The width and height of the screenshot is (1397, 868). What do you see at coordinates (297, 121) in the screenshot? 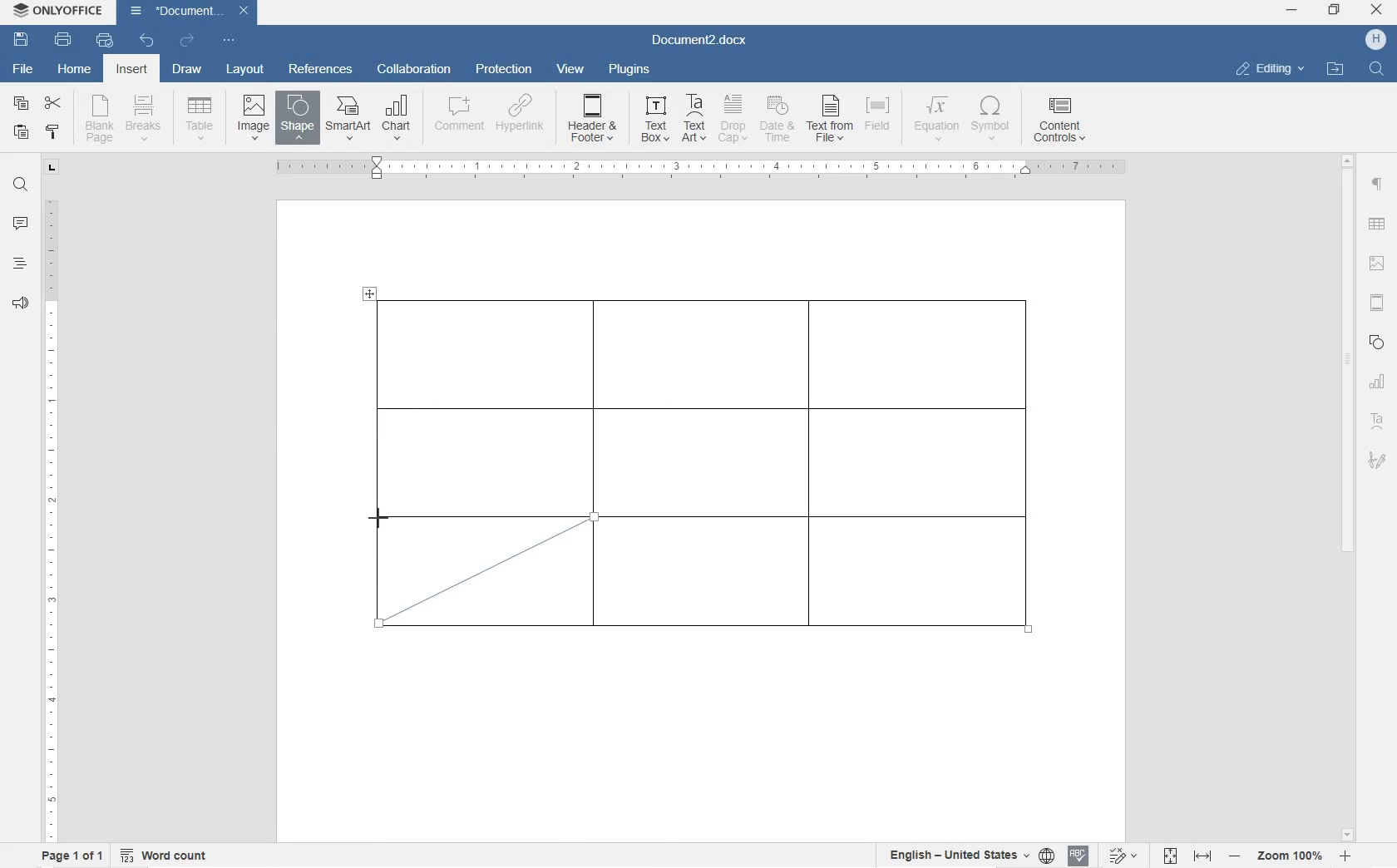
I see `INSERT SHAPE` at bounding box center [297, 121].